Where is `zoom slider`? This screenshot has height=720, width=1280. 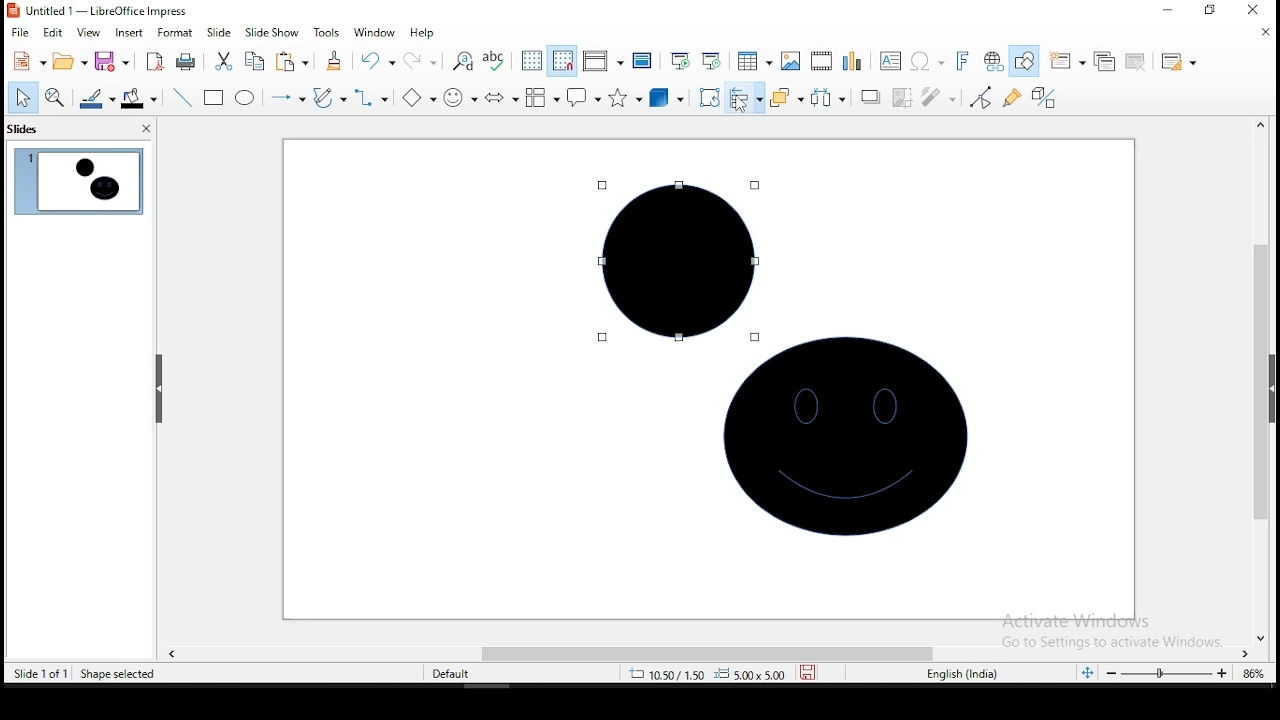 zoom slider is located at coordinates (1161, 675).